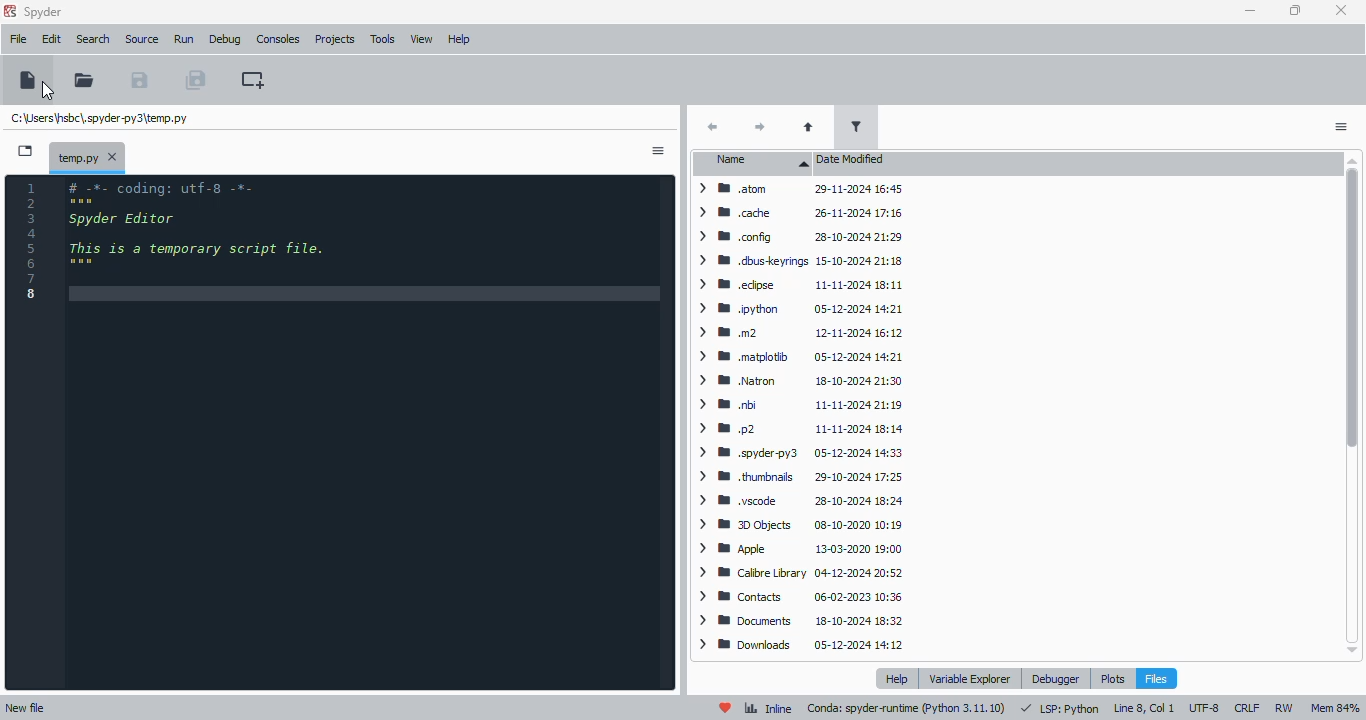  Describe the element at coordinates (44, 13) in the screenshot. I see `spyder` at that location.